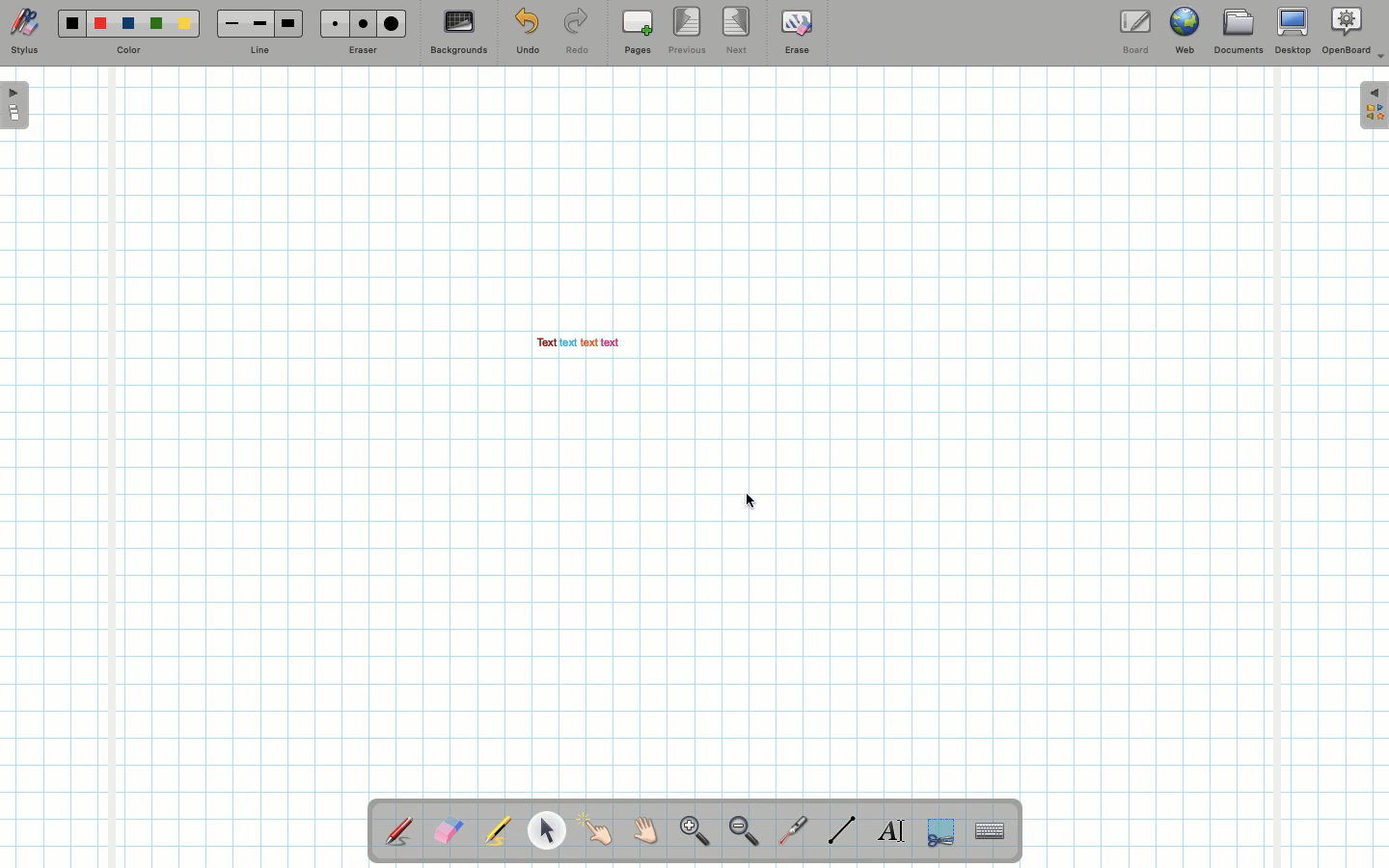 The height and width of the screenshot is (868, 1389). I want to click on Red, so click(101, 24).